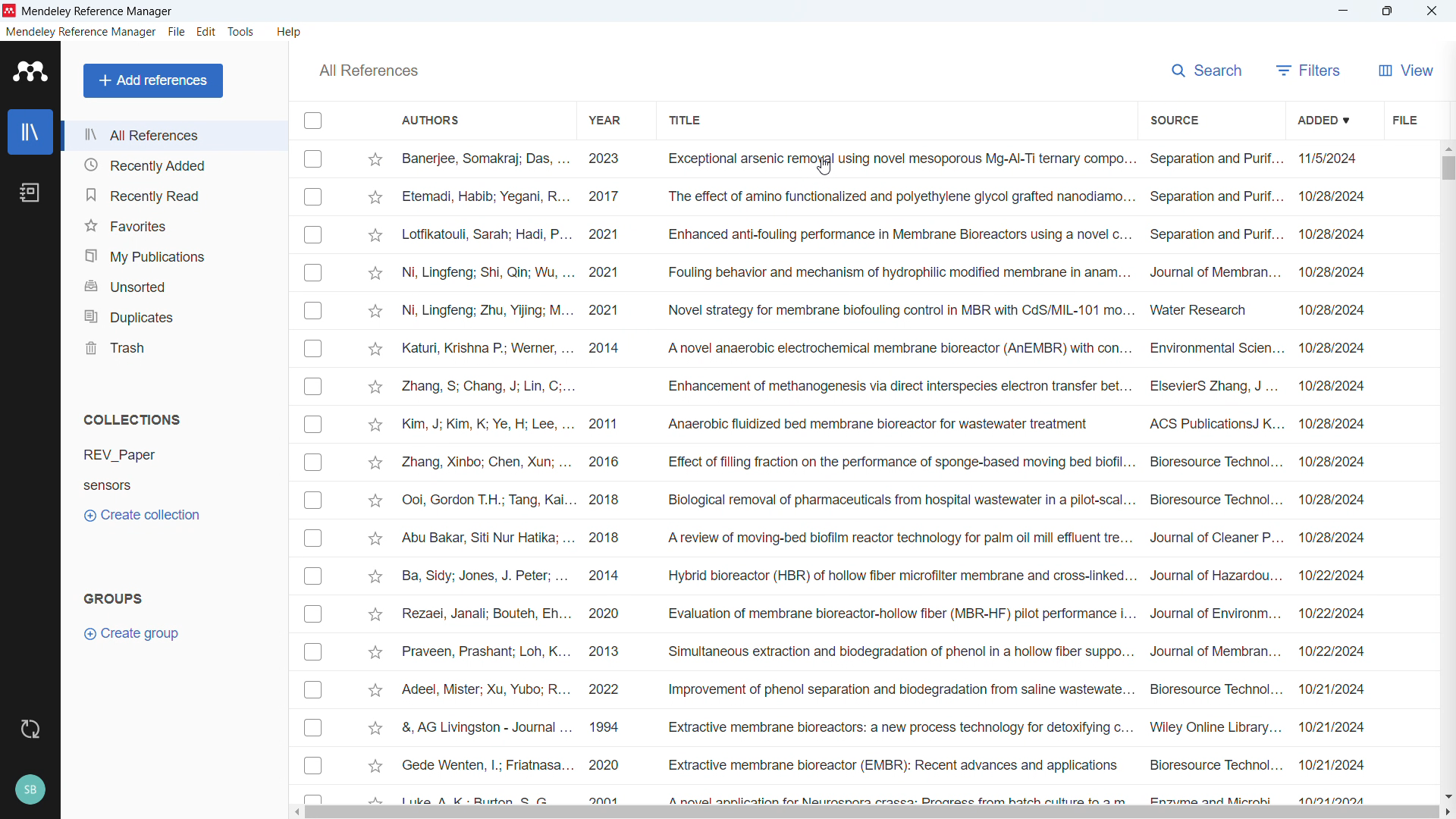 This screenshot has height=819, width=1456. Describe the element at coordinates (138, 633) in the screenshot. I see `create group` at that location.